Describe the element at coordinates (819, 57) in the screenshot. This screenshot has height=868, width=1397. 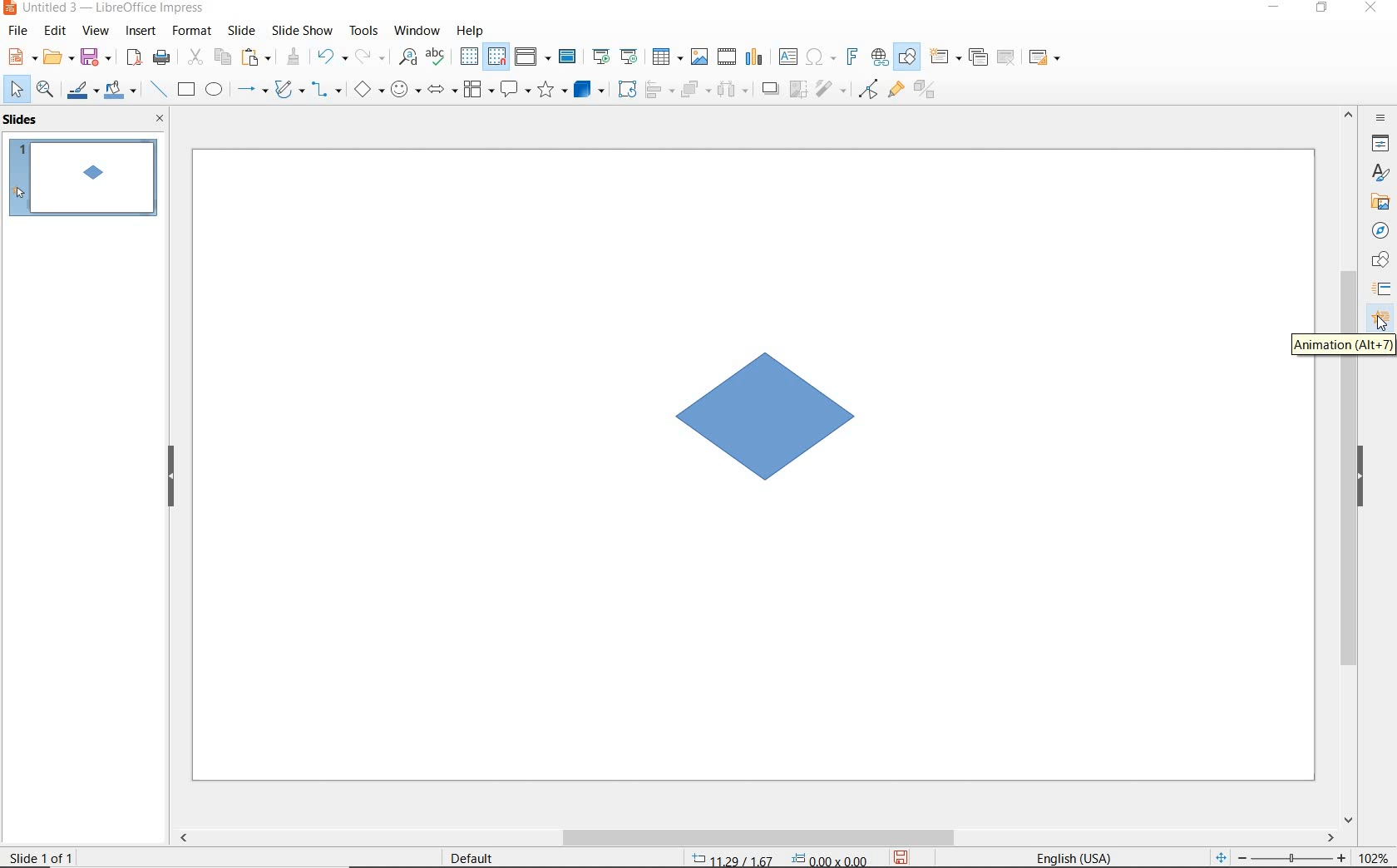
I see `insert special characters` at that location.